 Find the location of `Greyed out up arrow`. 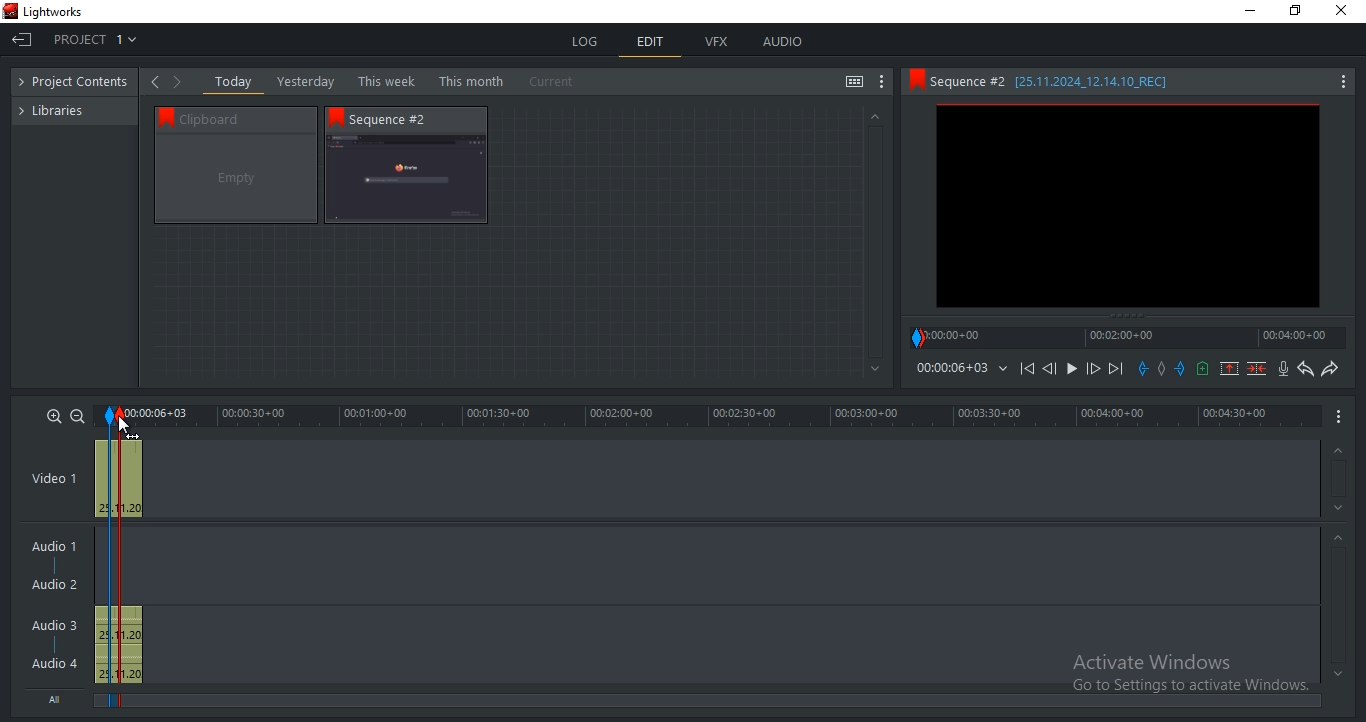

Greyed out up arrow is located at coordinates (1341, 540).